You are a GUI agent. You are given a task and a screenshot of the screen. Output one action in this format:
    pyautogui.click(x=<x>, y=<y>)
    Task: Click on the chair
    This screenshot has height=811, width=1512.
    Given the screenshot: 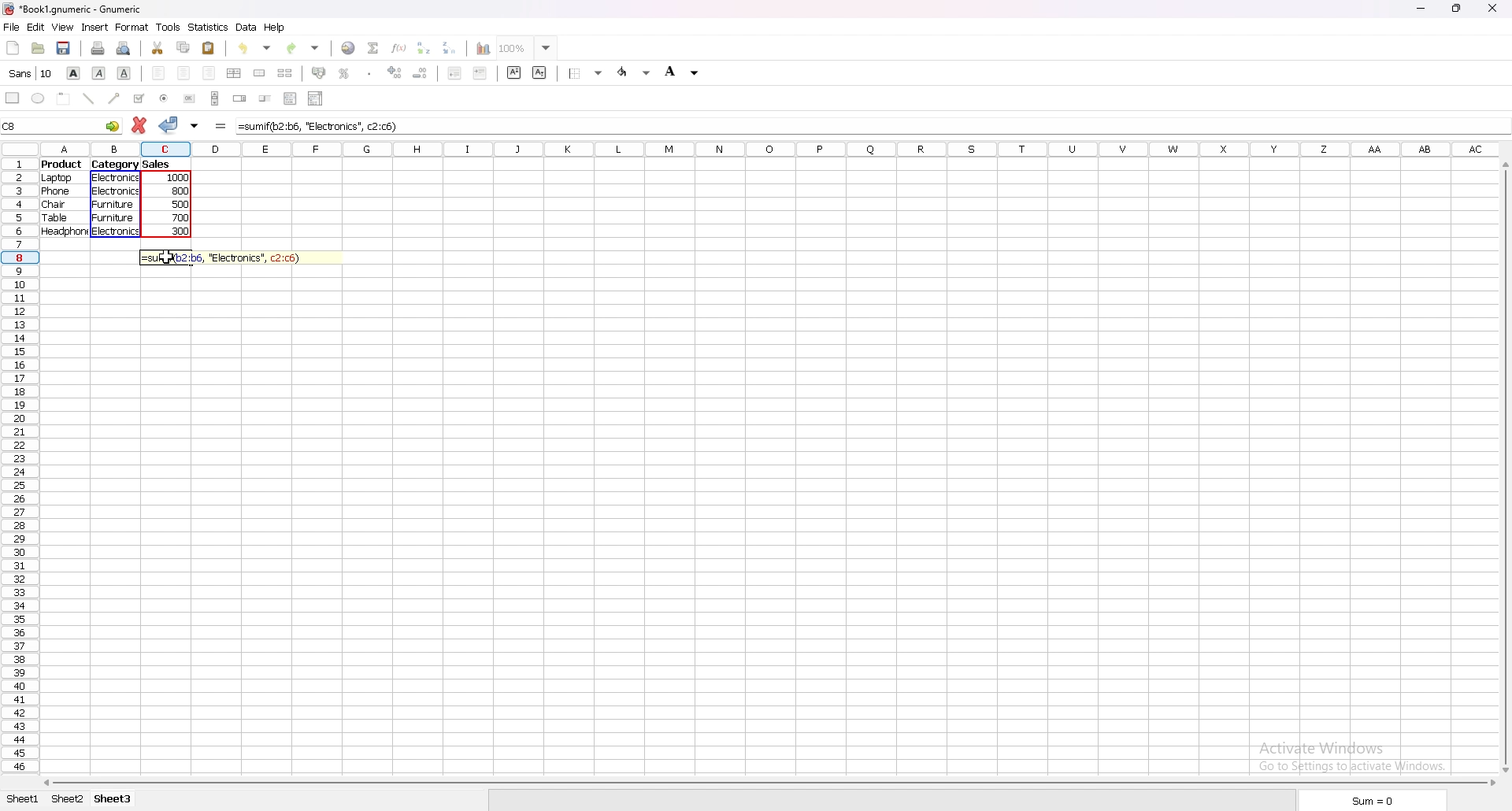 What is the action you would take?
    pyautogui.click(x=54, y=204)
    